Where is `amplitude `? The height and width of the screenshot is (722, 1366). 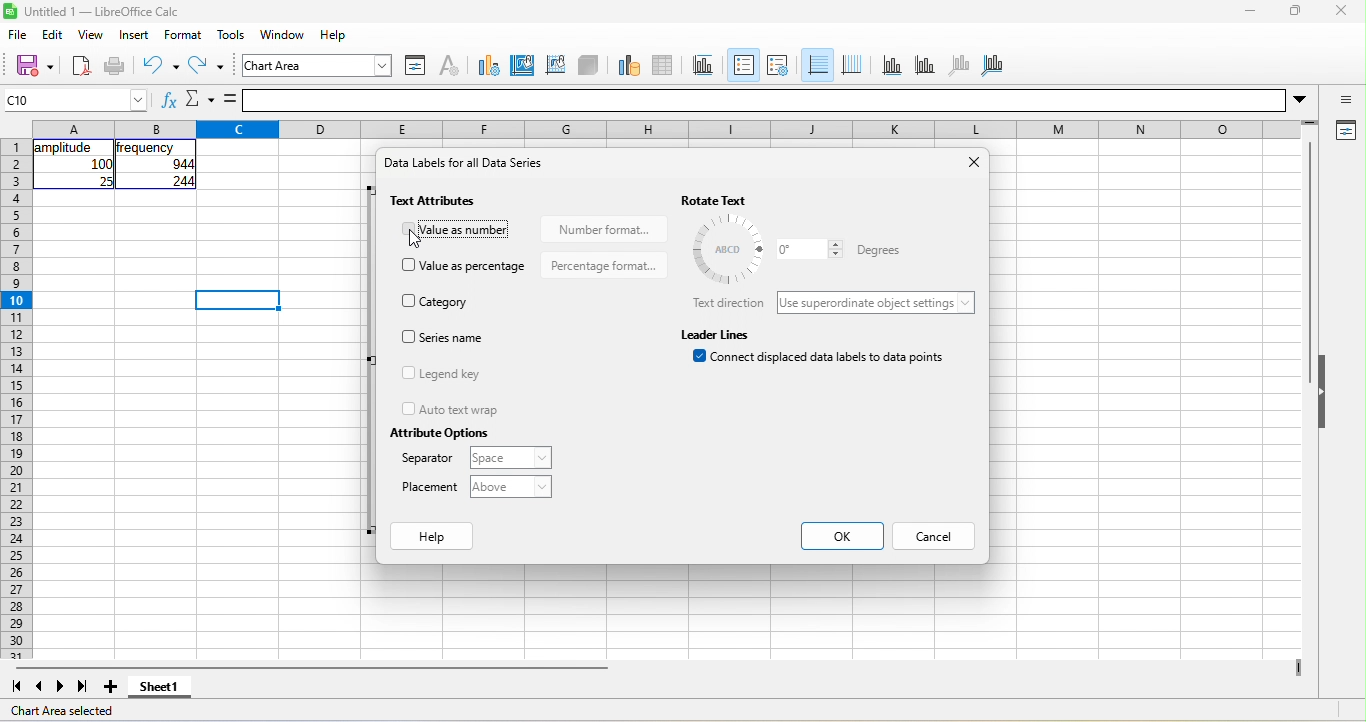
amplitude  is located at coordinates (65, 148).